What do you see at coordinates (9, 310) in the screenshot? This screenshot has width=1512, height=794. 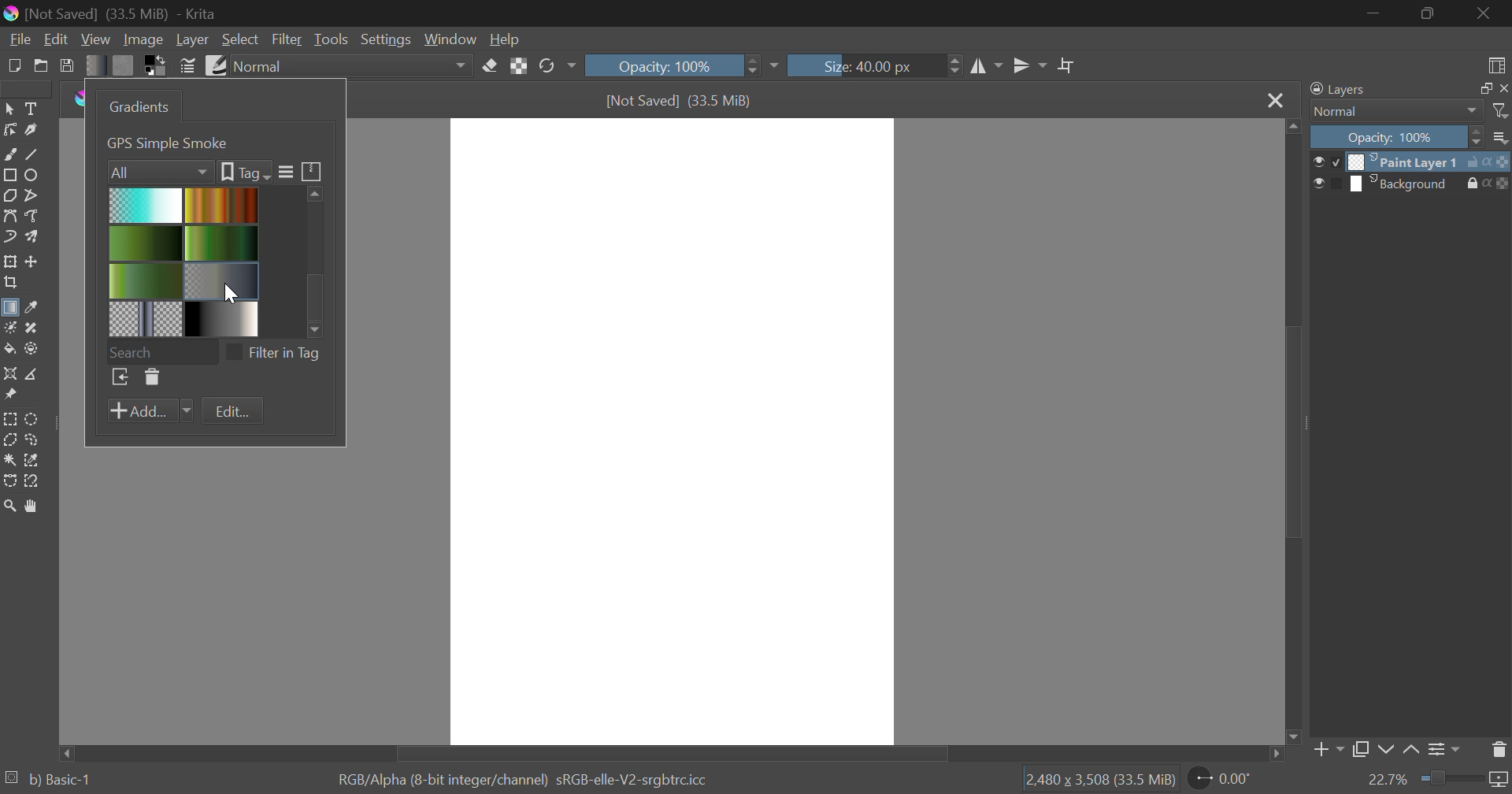 I see `Gradient Fill` at bounding box center [9, 310].